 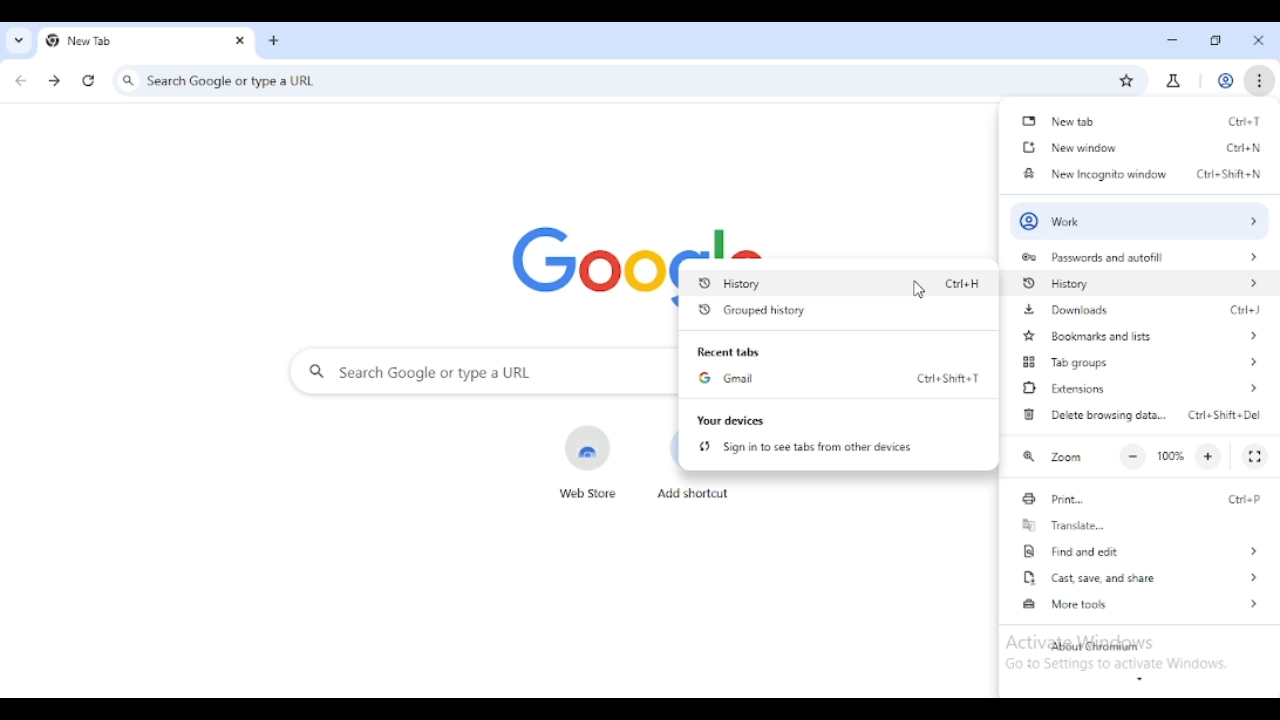 What do you see at coordinates (1052, 457) in the screenshot?
I see `zoom` at bounding box center [1052, 457].